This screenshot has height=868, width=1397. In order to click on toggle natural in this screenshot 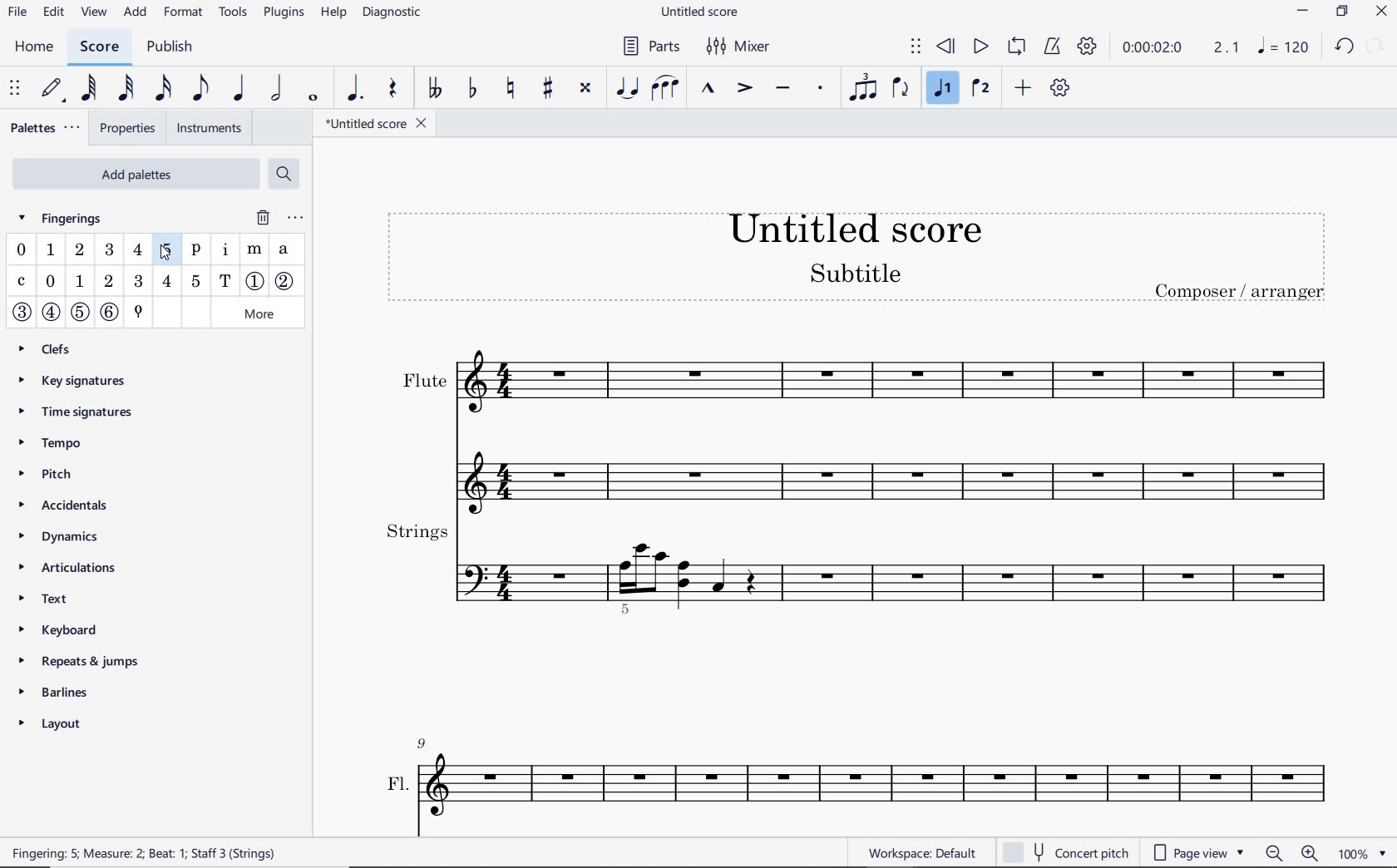, I will do `click(513, 86)`.